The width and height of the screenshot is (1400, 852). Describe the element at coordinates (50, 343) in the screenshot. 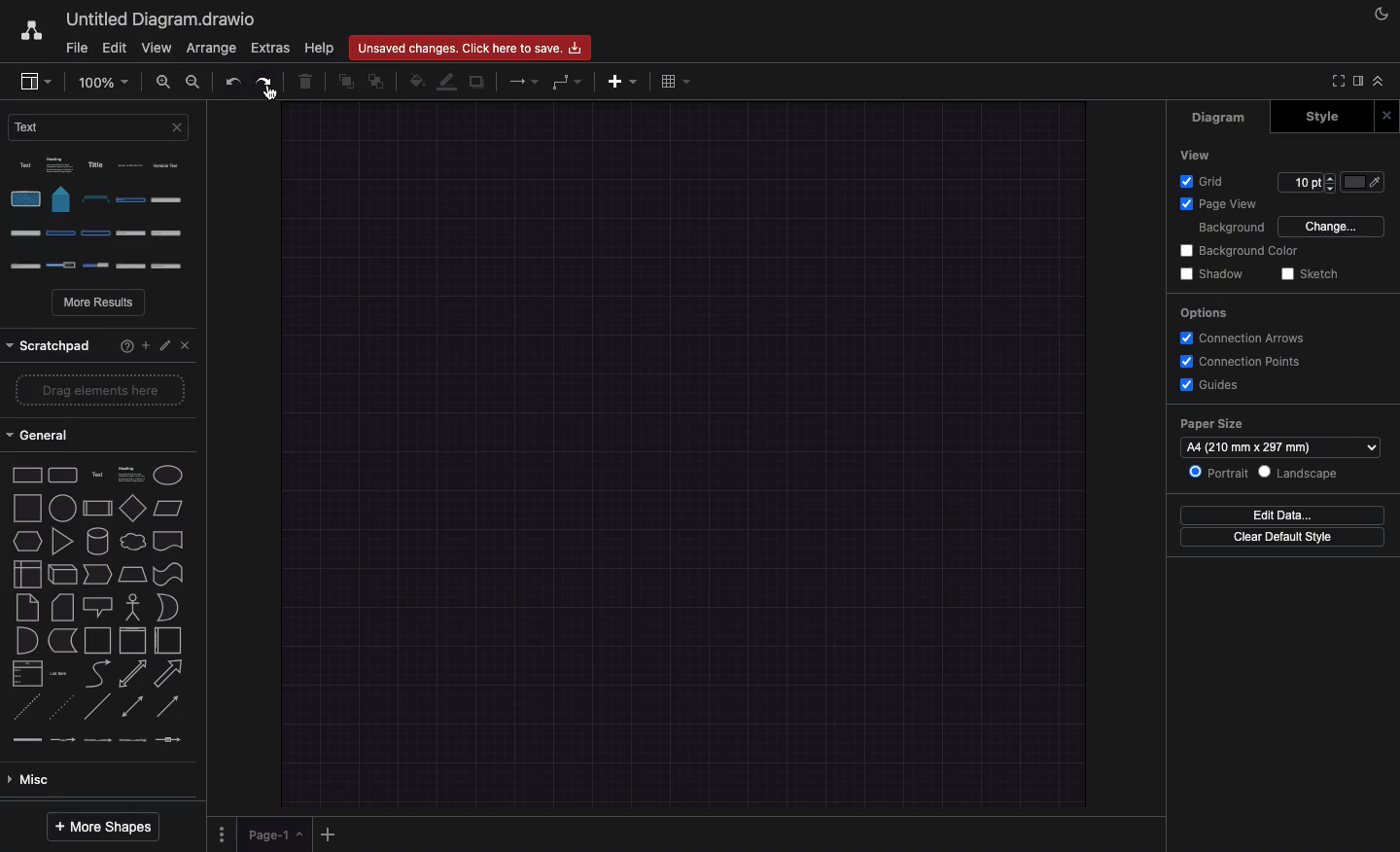

I see `Scratchpad` at that location.